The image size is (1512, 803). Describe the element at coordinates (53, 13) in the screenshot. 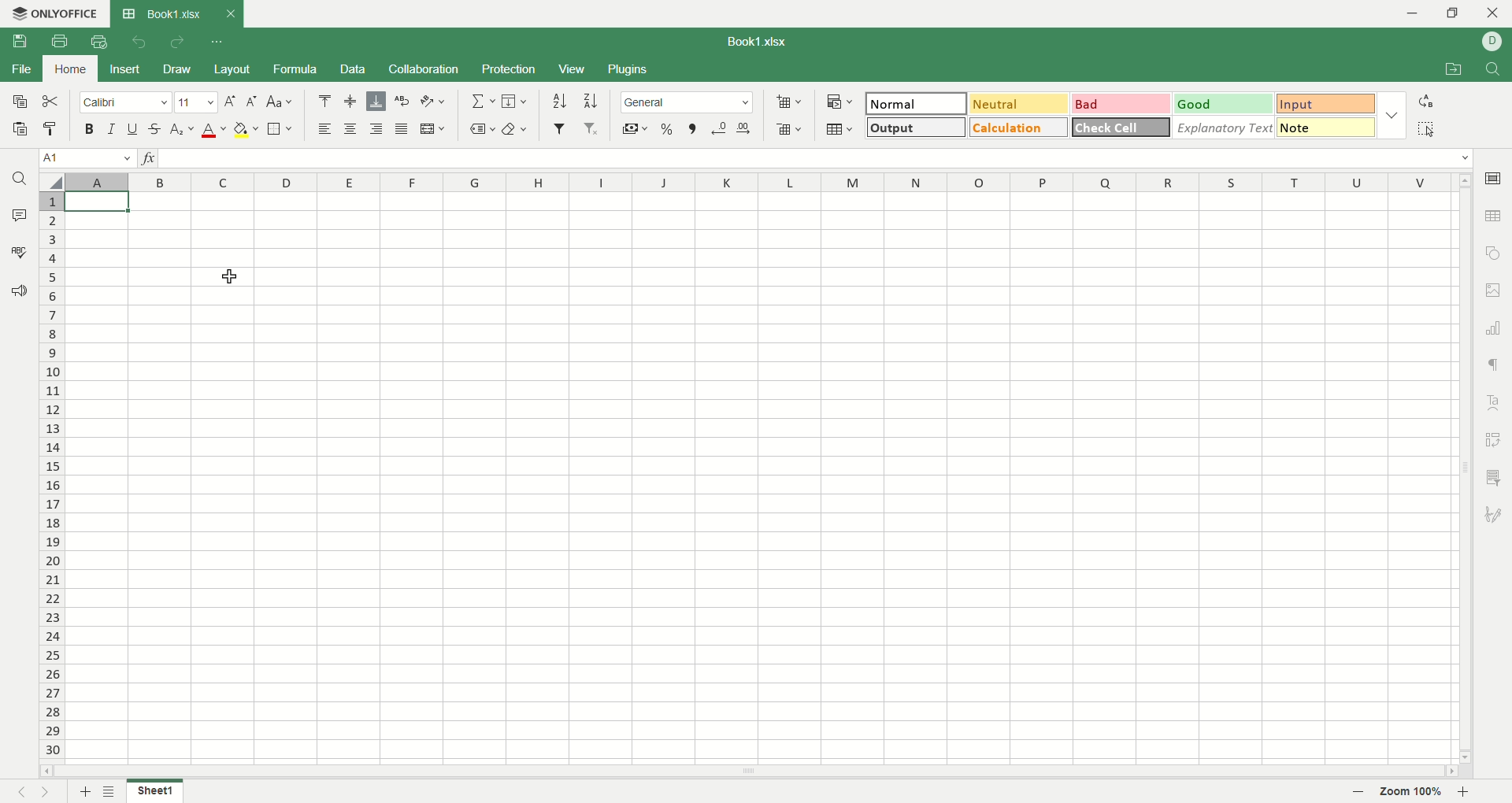

I see `ONLYOFFICE` at that location.